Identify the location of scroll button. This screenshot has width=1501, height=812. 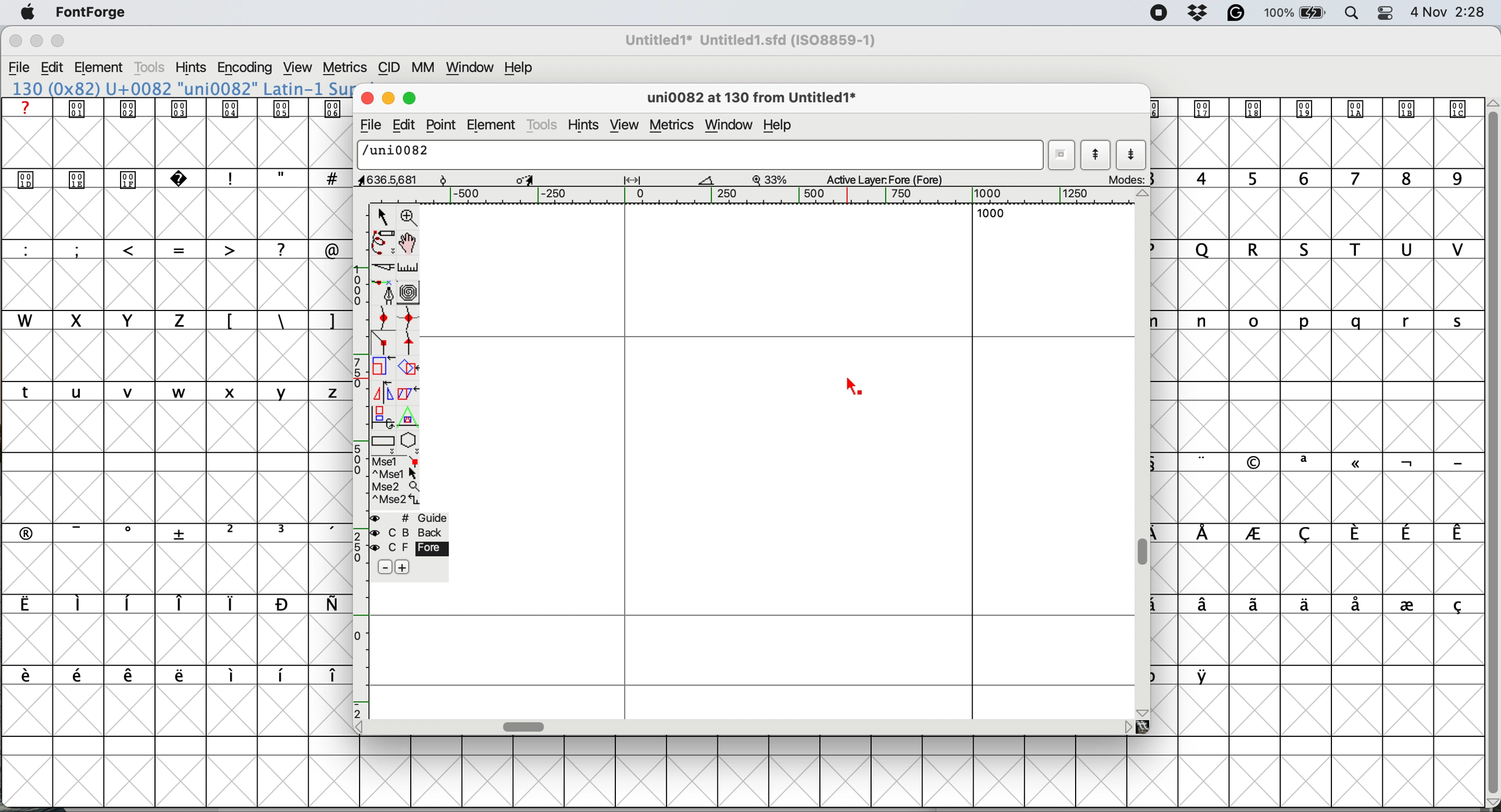
(1144, 195).